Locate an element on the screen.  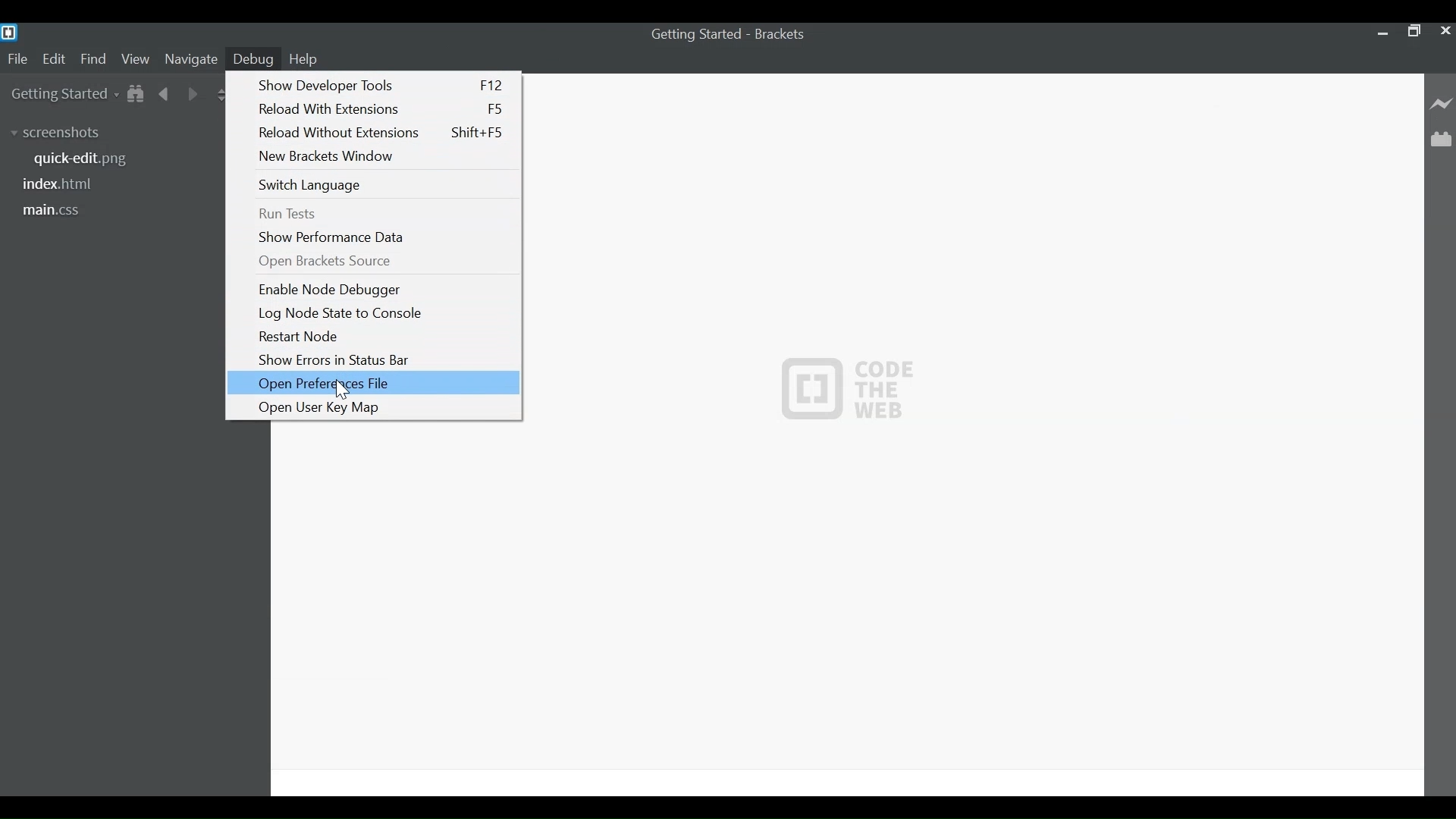
Split the Editor vertically or horizontally is located at coordinates (221, 96).